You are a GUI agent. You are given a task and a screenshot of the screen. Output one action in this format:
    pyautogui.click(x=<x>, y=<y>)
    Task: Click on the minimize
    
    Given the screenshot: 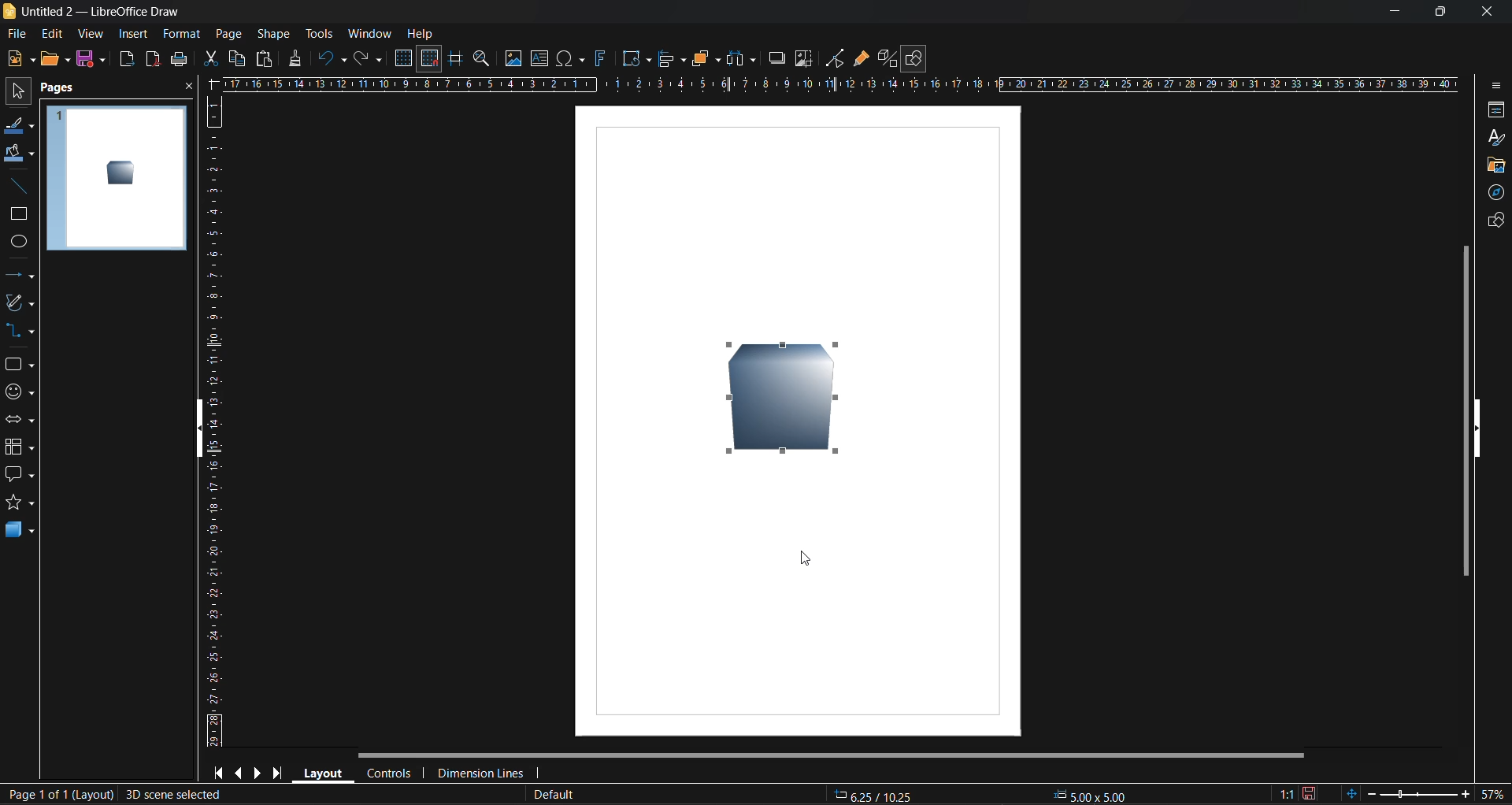 What is the action you would take?
    pyautogui.click(x=1388, y=12)
    